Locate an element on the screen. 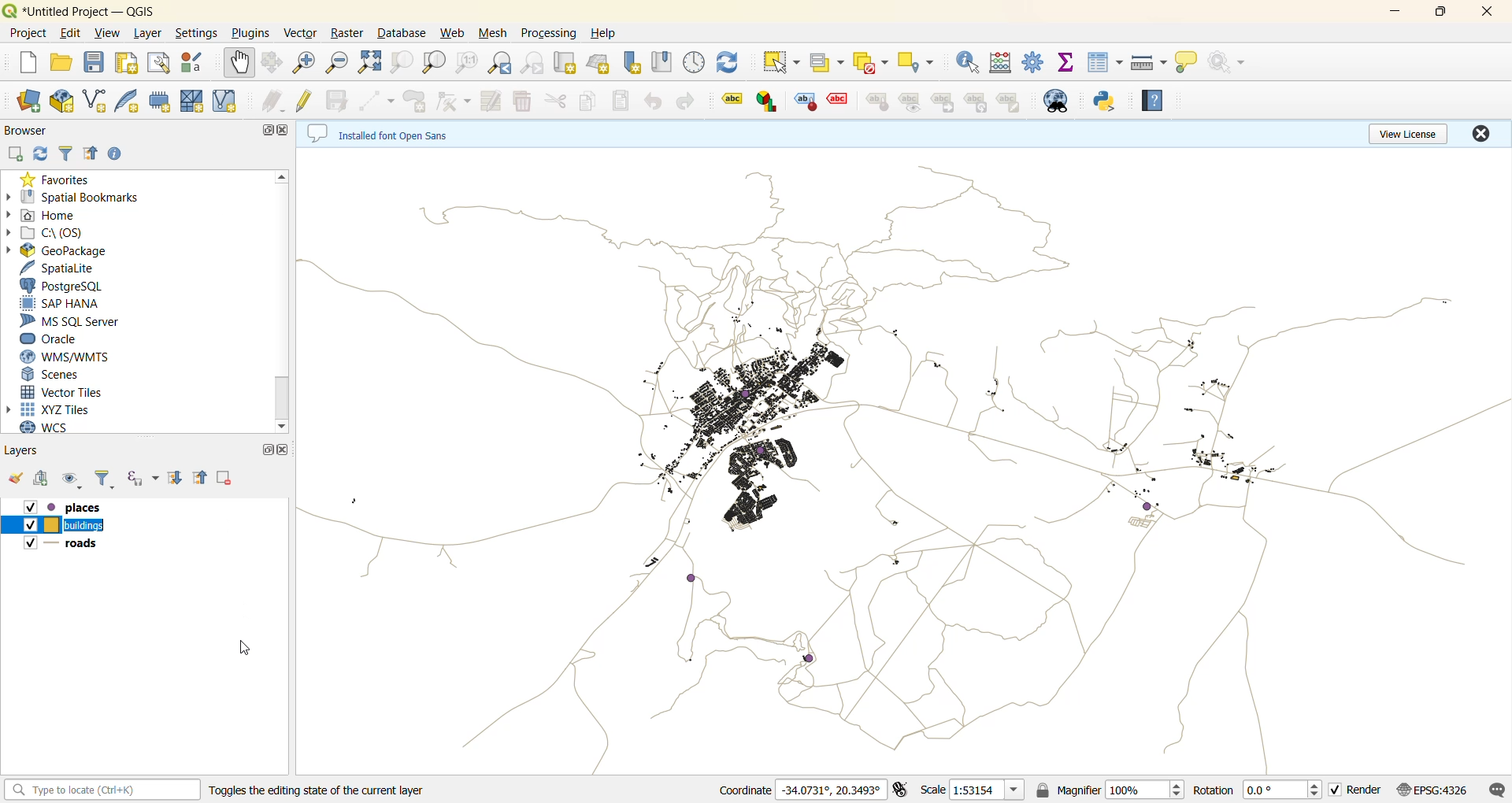 The width and height of the screenshot is (1512, 803). attributes table is located at coordinates (1104, 62).